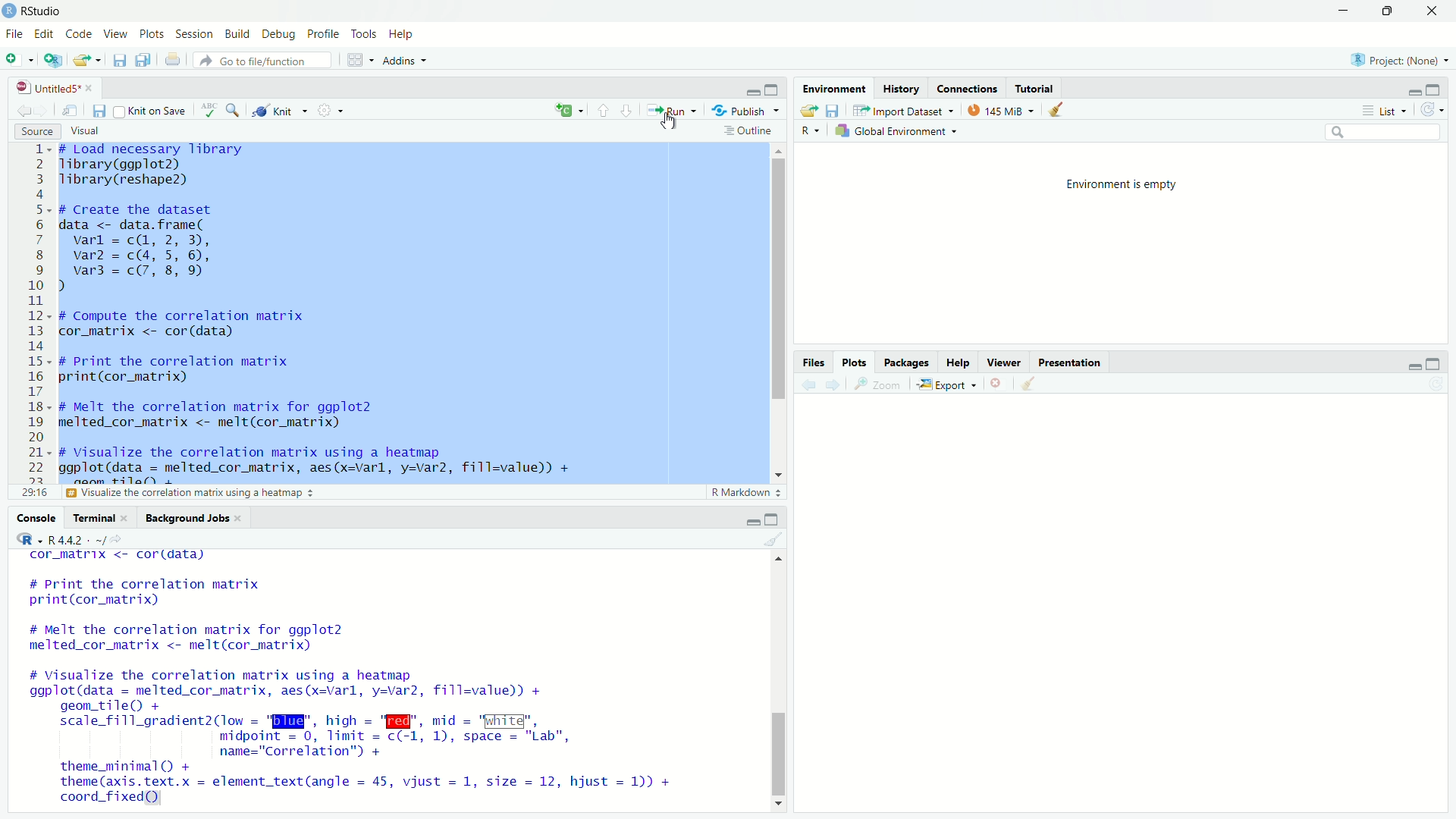 This screenshot has width=1456, height=819. What do you see at coordinates (815, 362) in the screenshot?
I see `files` at bounding box center [815, 362].